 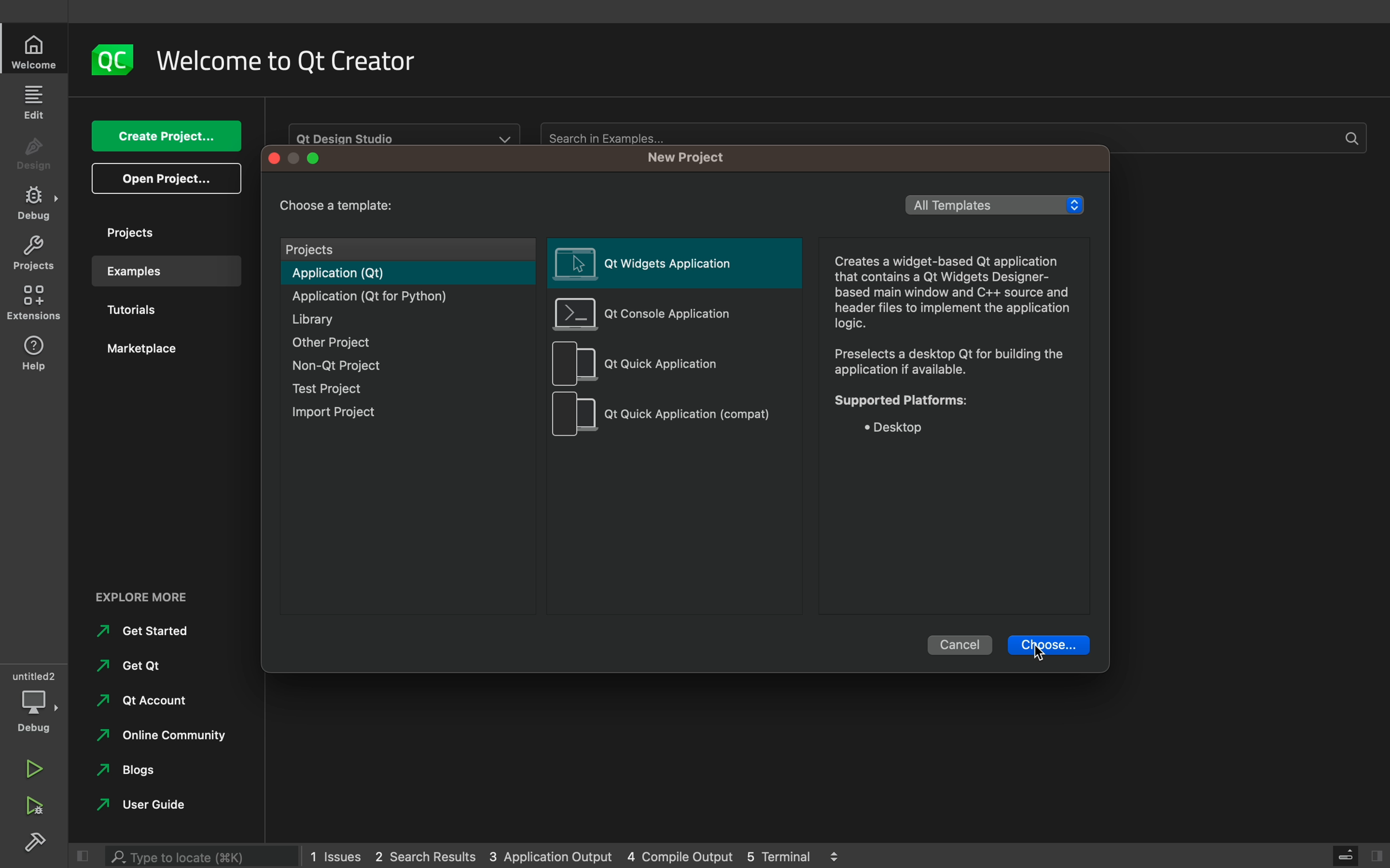 What do you see at coordinates (663, 414) in the screenshot?
I see `qt quick application` at bounding box center [663, 414].